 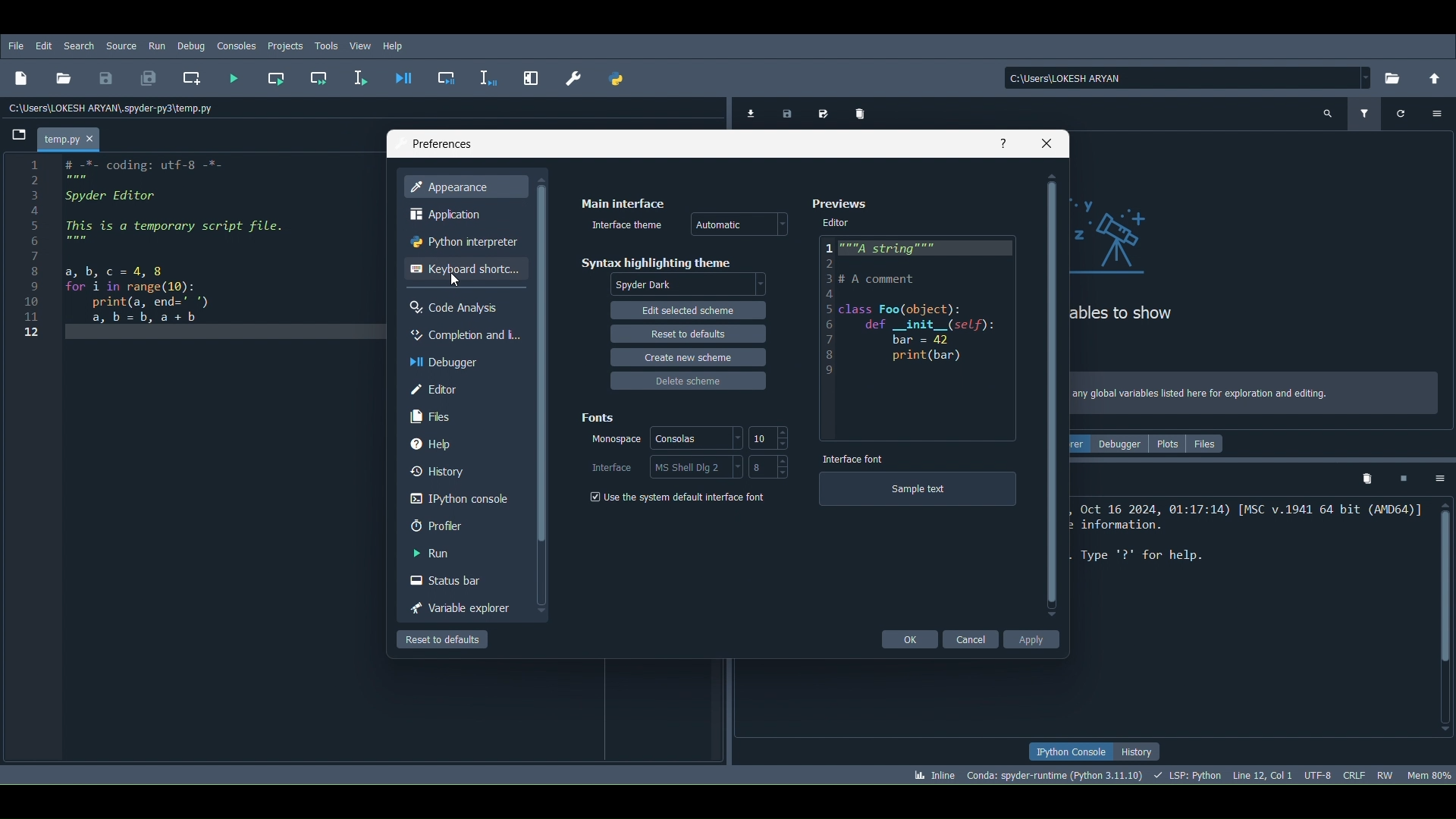 What do you see at coordinates (739, 220) in the screenshot?
I see `Theme` at bounding box center [739, 220].